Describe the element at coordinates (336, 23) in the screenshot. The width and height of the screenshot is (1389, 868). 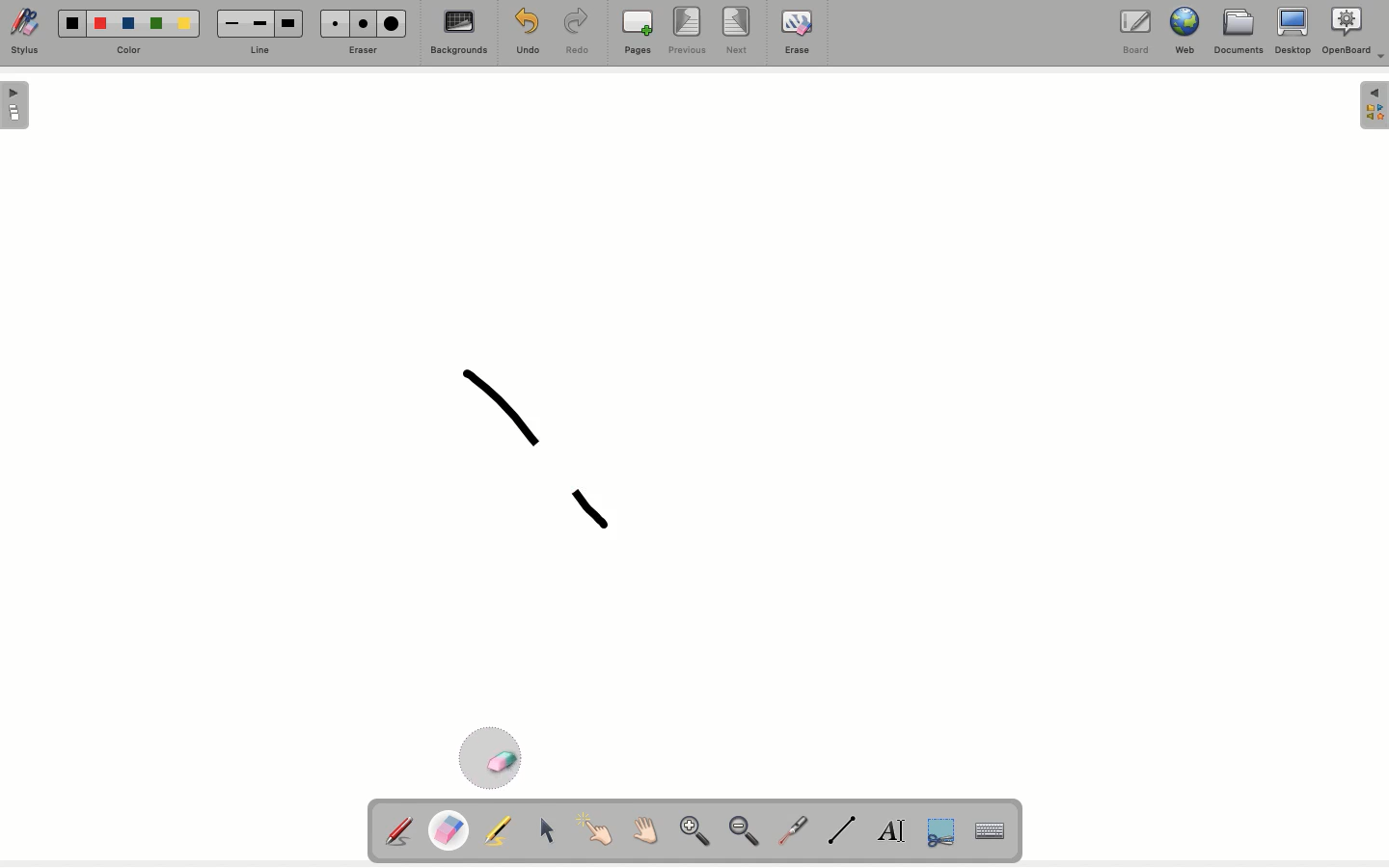
I see `Small` at that location.